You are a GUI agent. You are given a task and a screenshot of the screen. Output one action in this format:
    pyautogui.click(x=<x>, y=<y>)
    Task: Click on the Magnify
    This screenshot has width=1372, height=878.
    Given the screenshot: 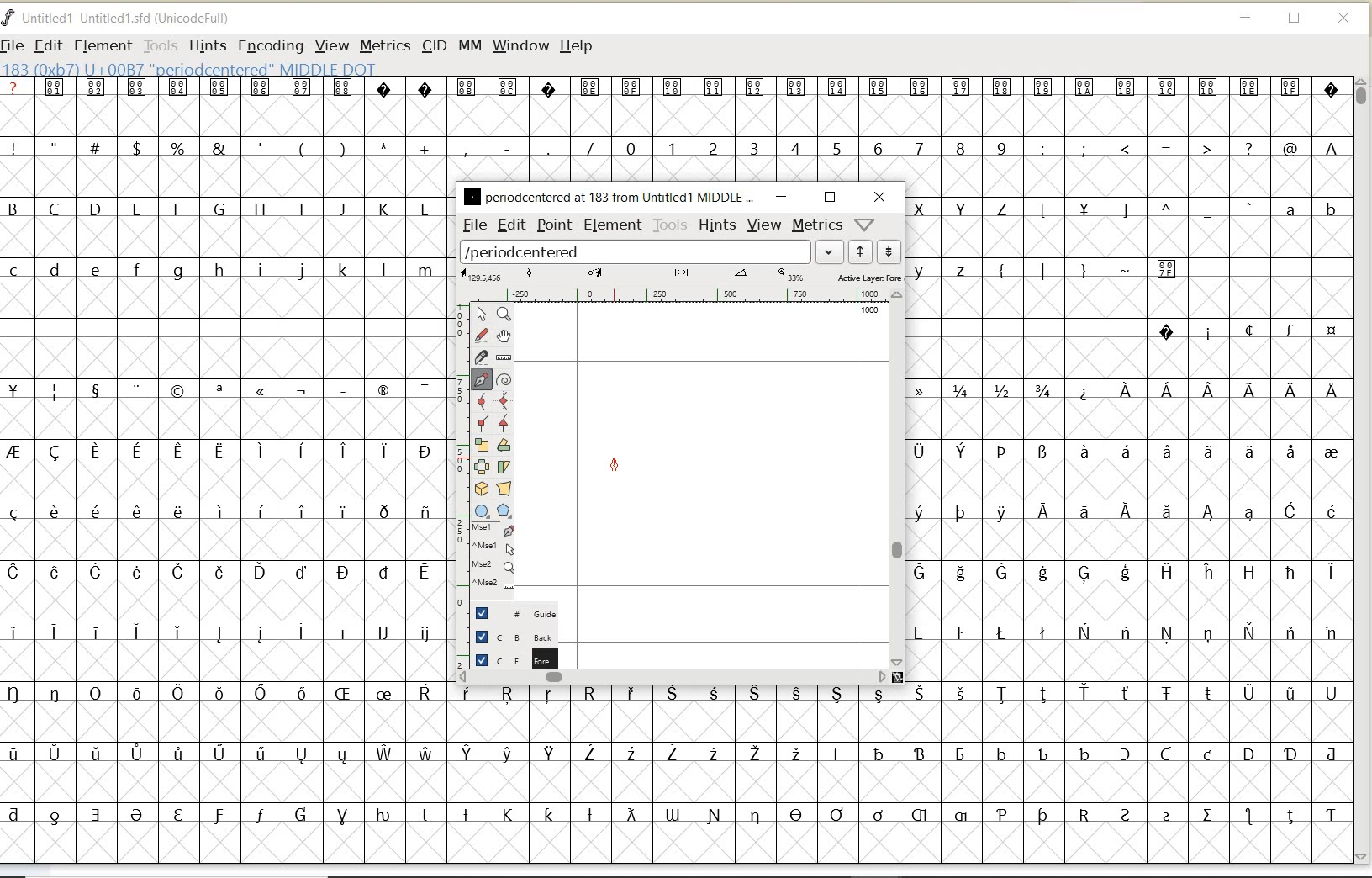 What is the action you would take?
    pyautogui.click(x=504, y=315)
    